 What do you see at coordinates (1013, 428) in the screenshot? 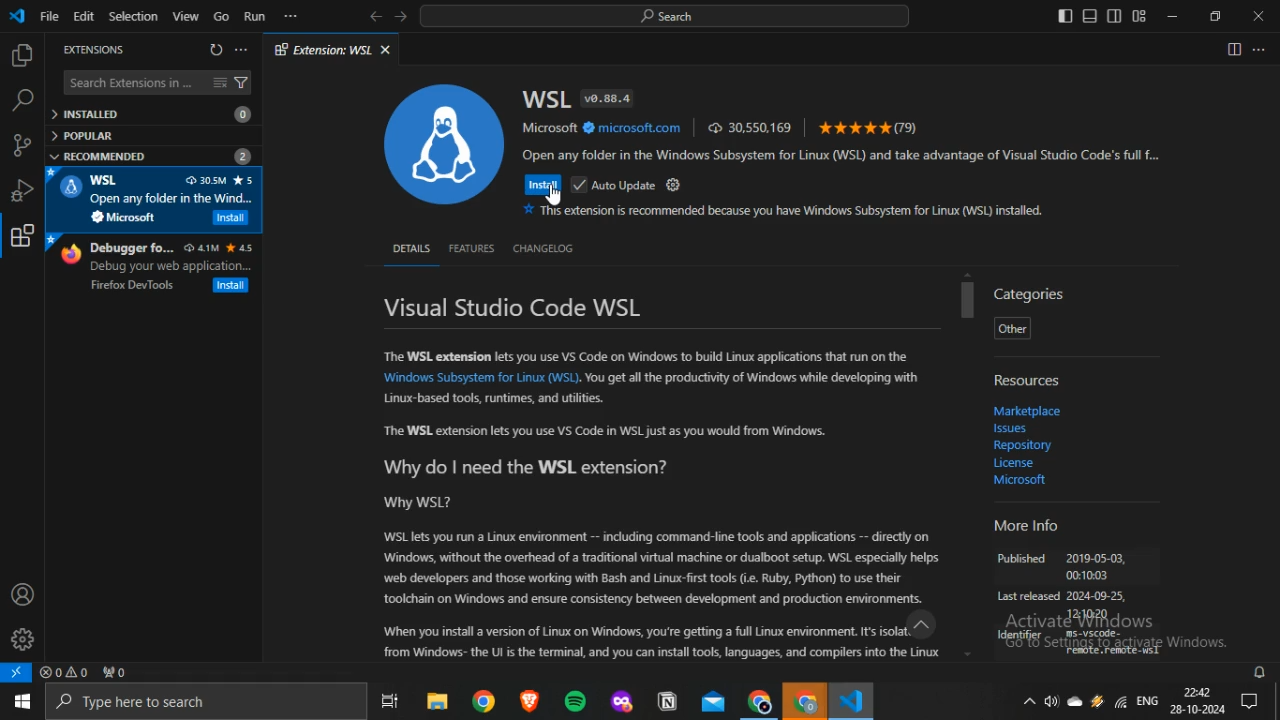
I see `Issues` at bounding box center [1013, 428].